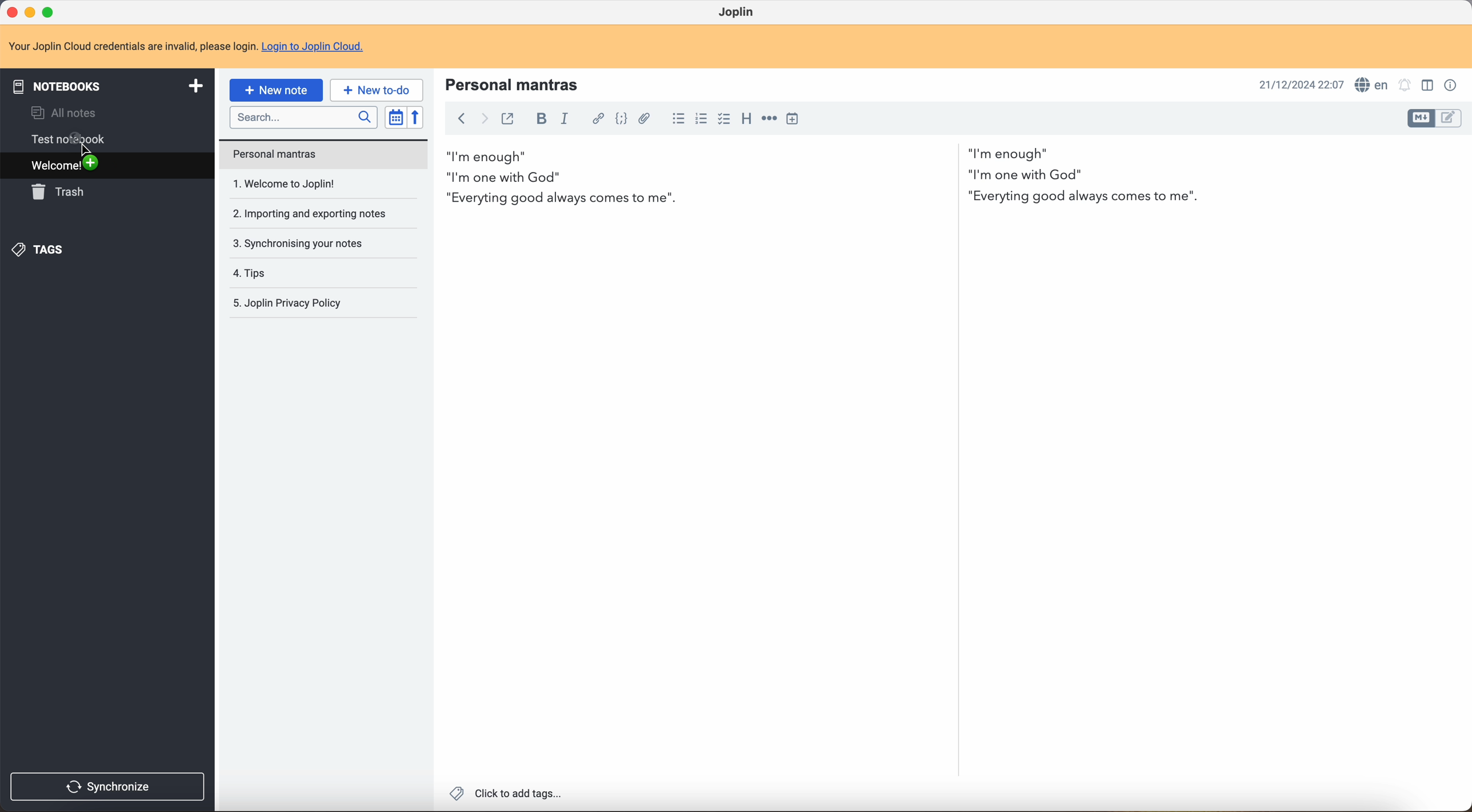 Image resolution: width=1472 pixels, height=812 pixels. What do you see at coordinates (541, 118) in the screenshot?
I see `bold` at bounding box center [541, 118].